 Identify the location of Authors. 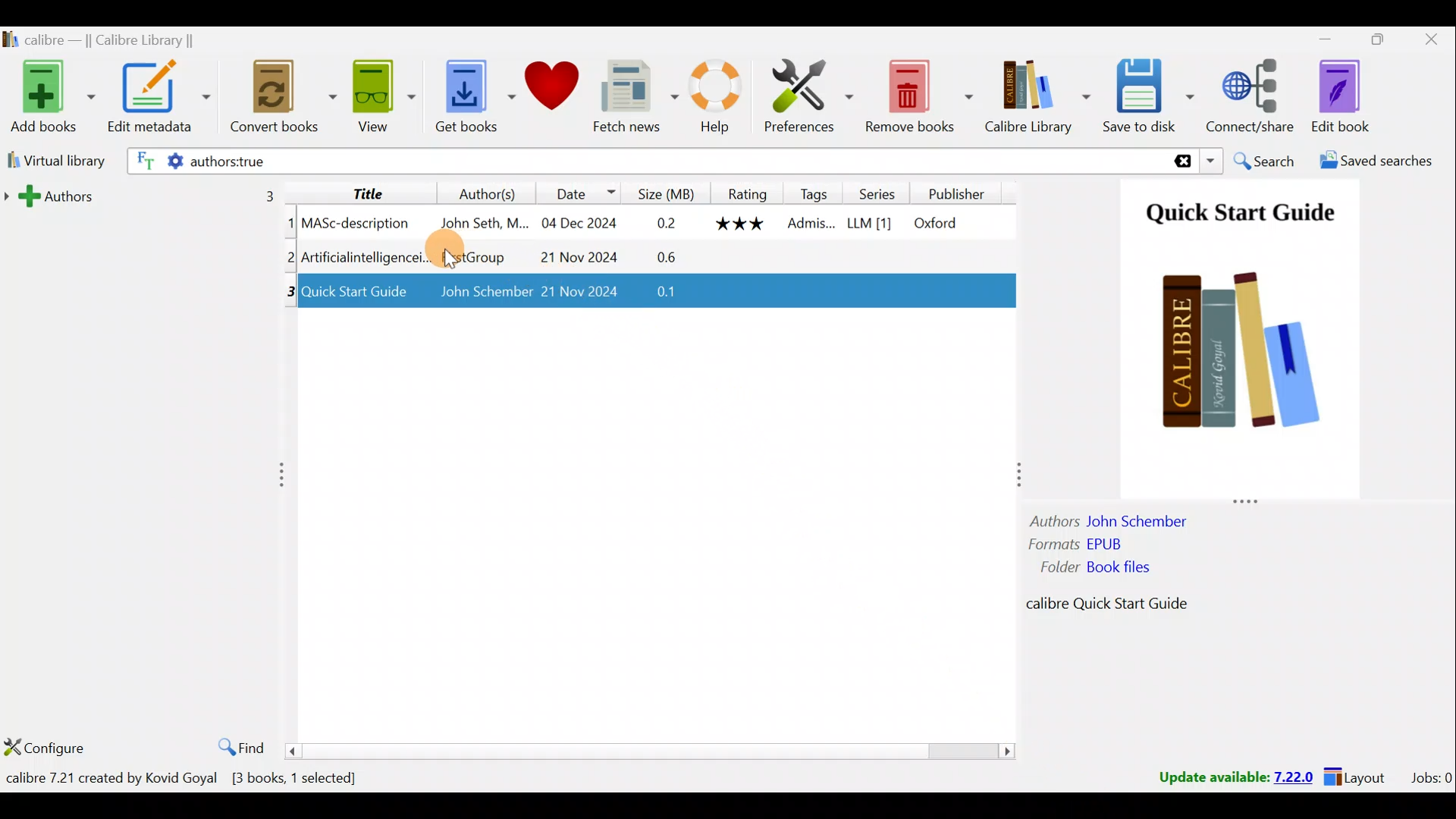
(149, 195).